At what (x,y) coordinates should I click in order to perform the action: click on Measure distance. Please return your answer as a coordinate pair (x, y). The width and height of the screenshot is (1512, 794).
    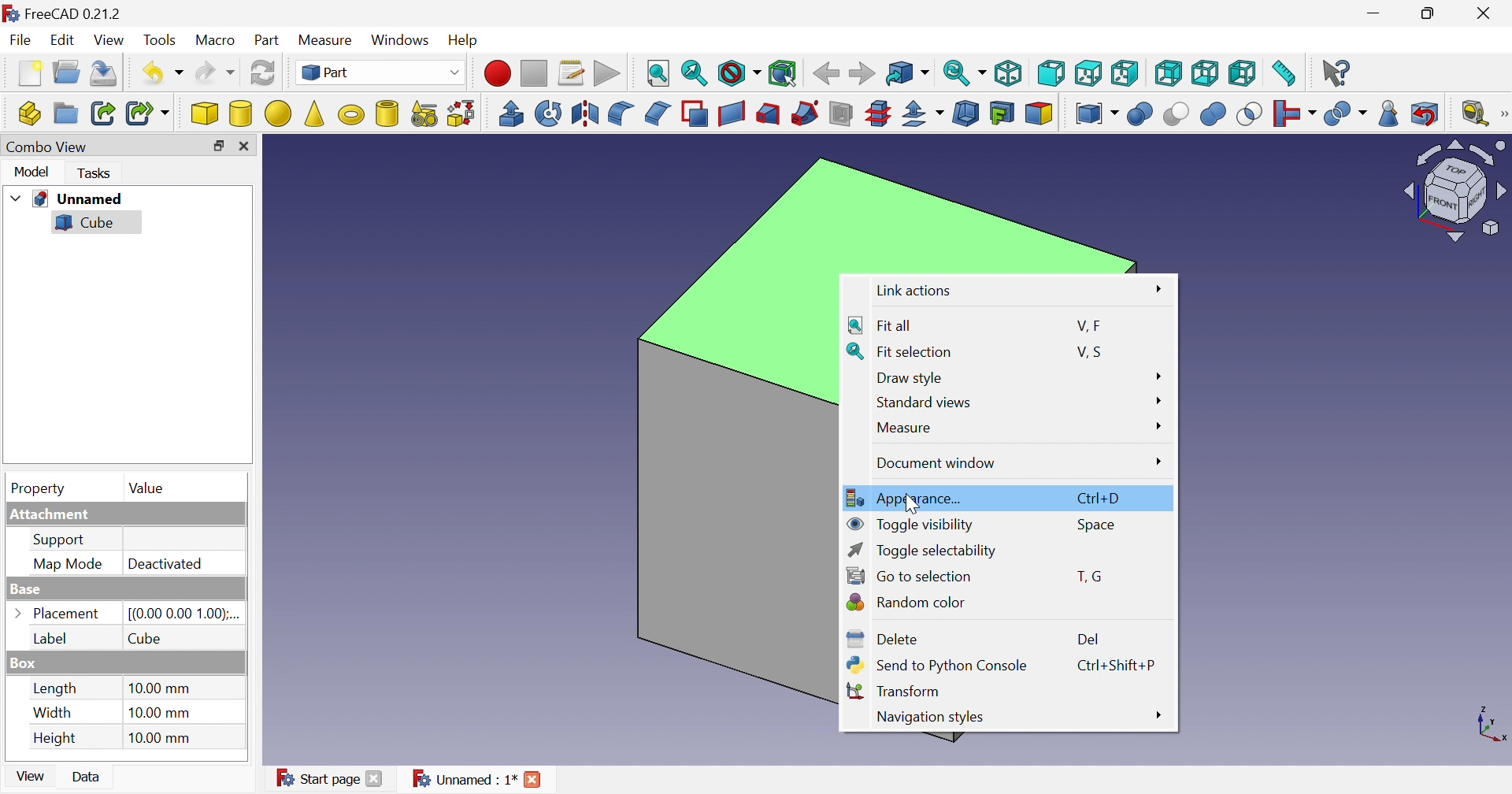
    Looking at the image, I should click on (1284, 76).